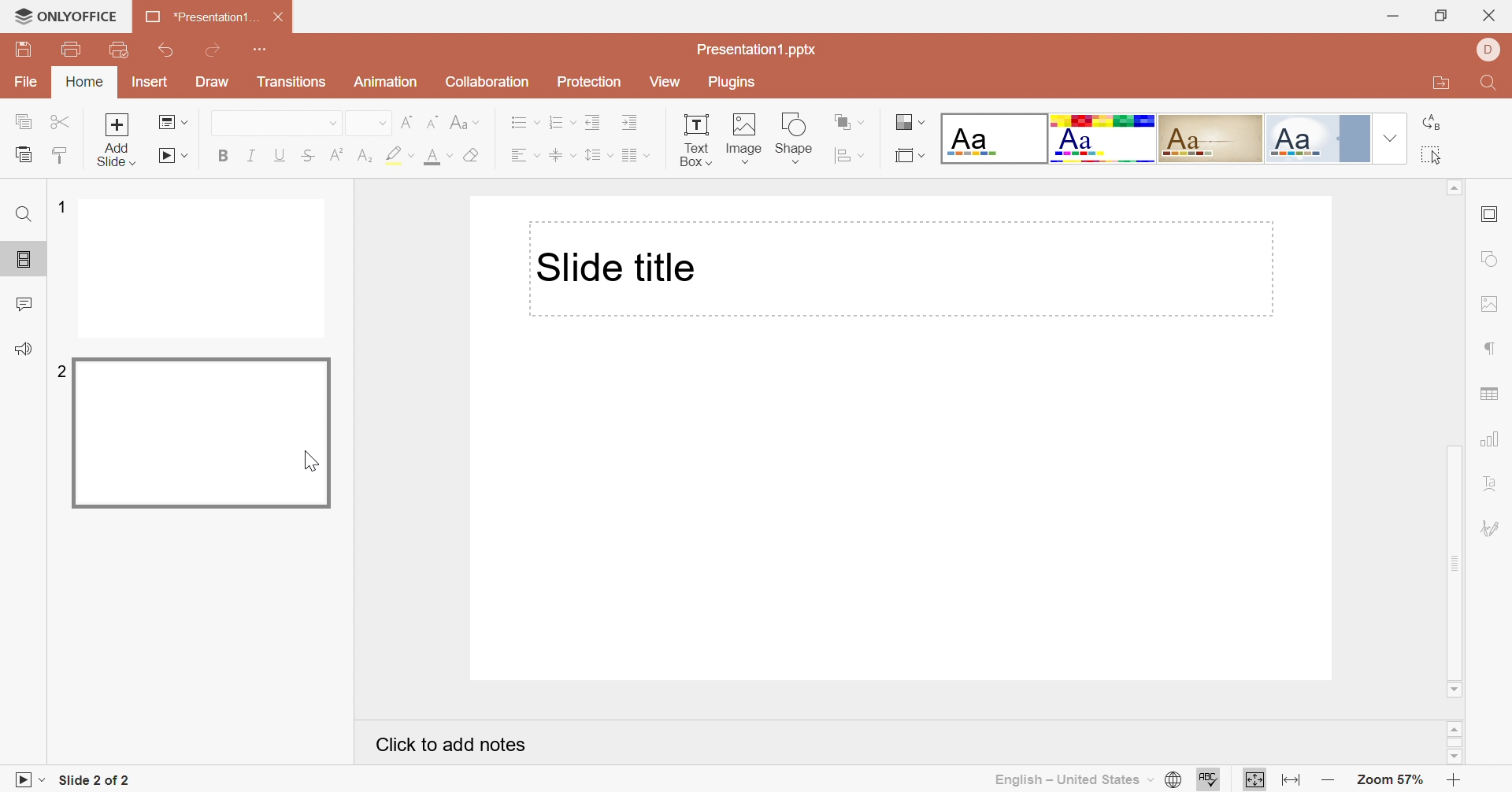 This screenshot has width=1512, height=792. I want to click on scroll bar, so click(1452, 743).